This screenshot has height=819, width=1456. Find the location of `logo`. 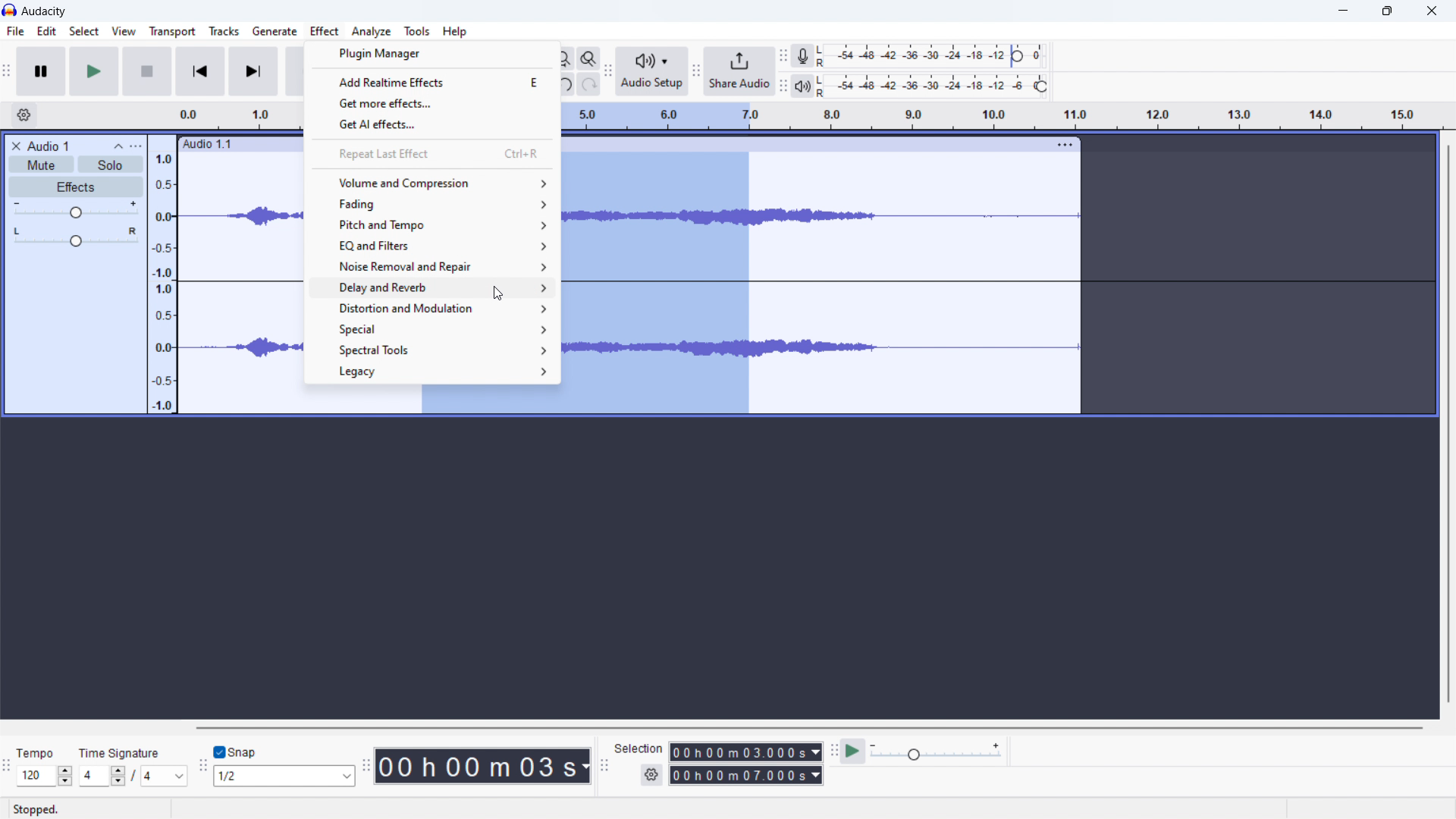

logo is located at coordinates (11, 10).